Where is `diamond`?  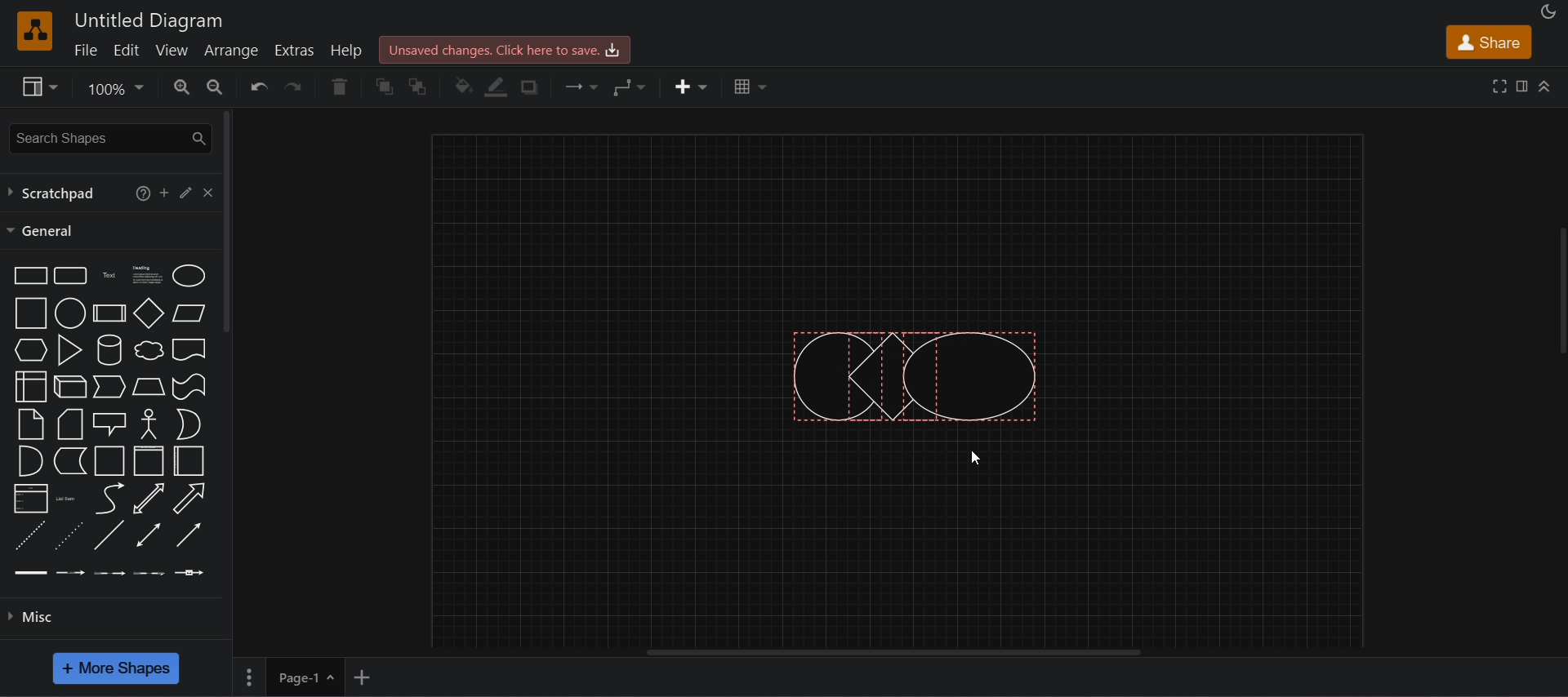 diamond is located at coordinates (149, 313).